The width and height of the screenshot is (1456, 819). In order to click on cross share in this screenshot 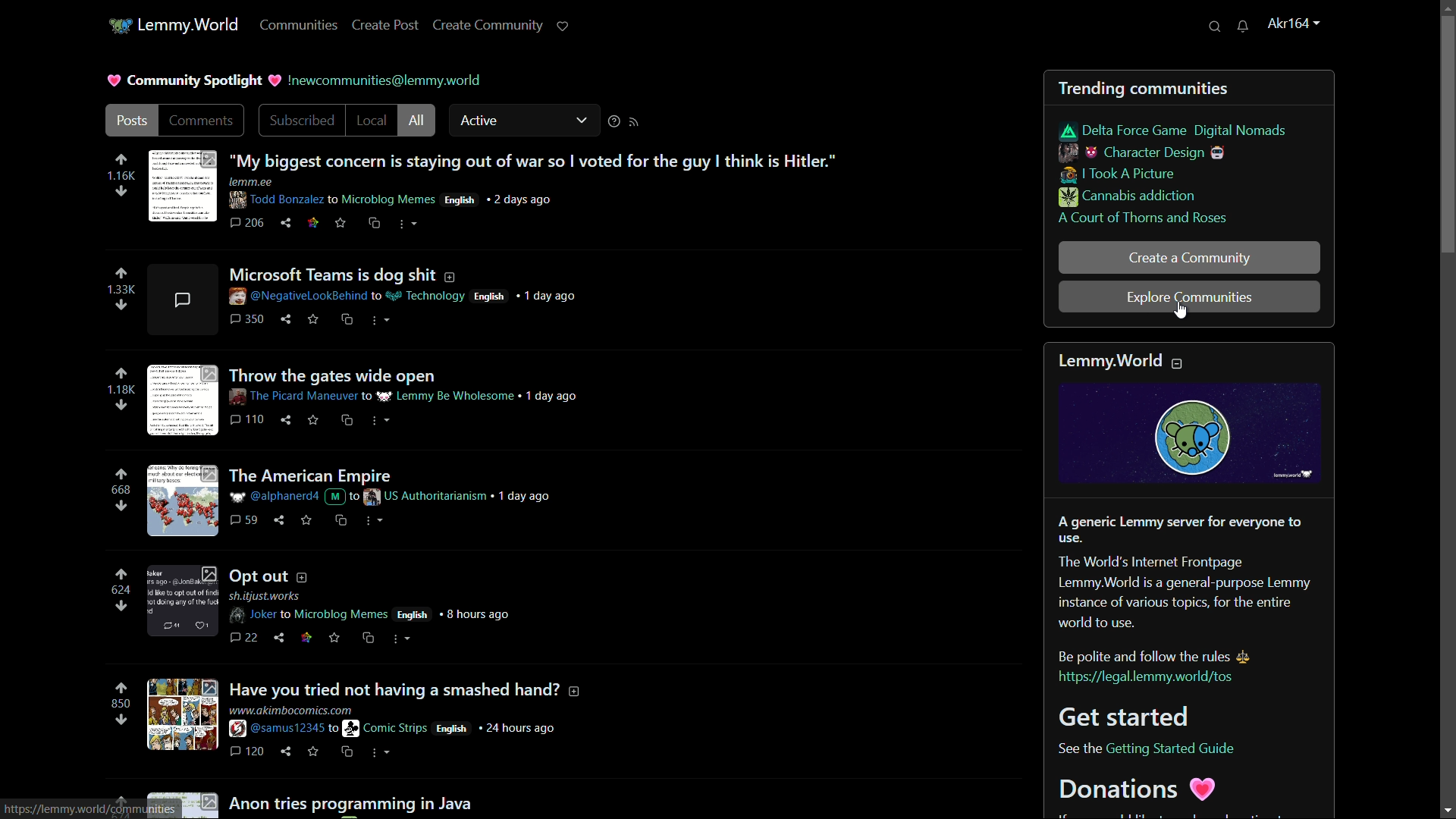, I will do `click(346, 422)`.